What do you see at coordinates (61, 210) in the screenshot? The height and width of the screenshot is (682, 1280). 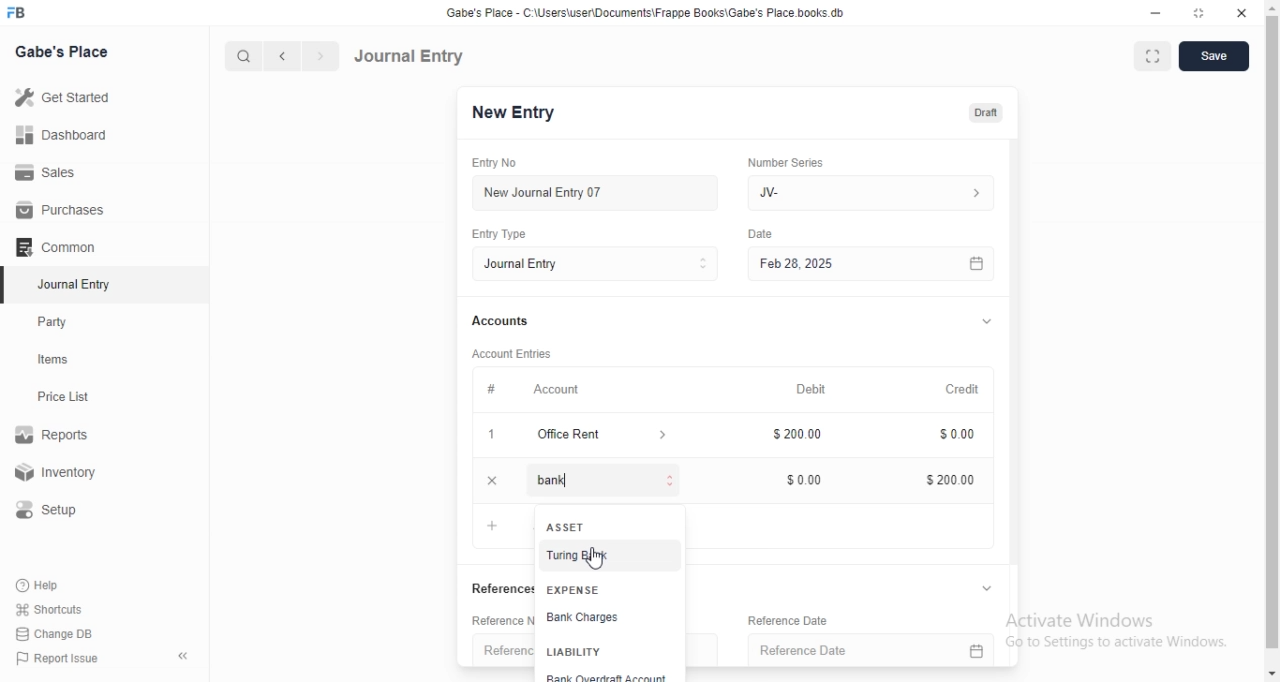 I see `Purchases` at bounding box center [61, 210].